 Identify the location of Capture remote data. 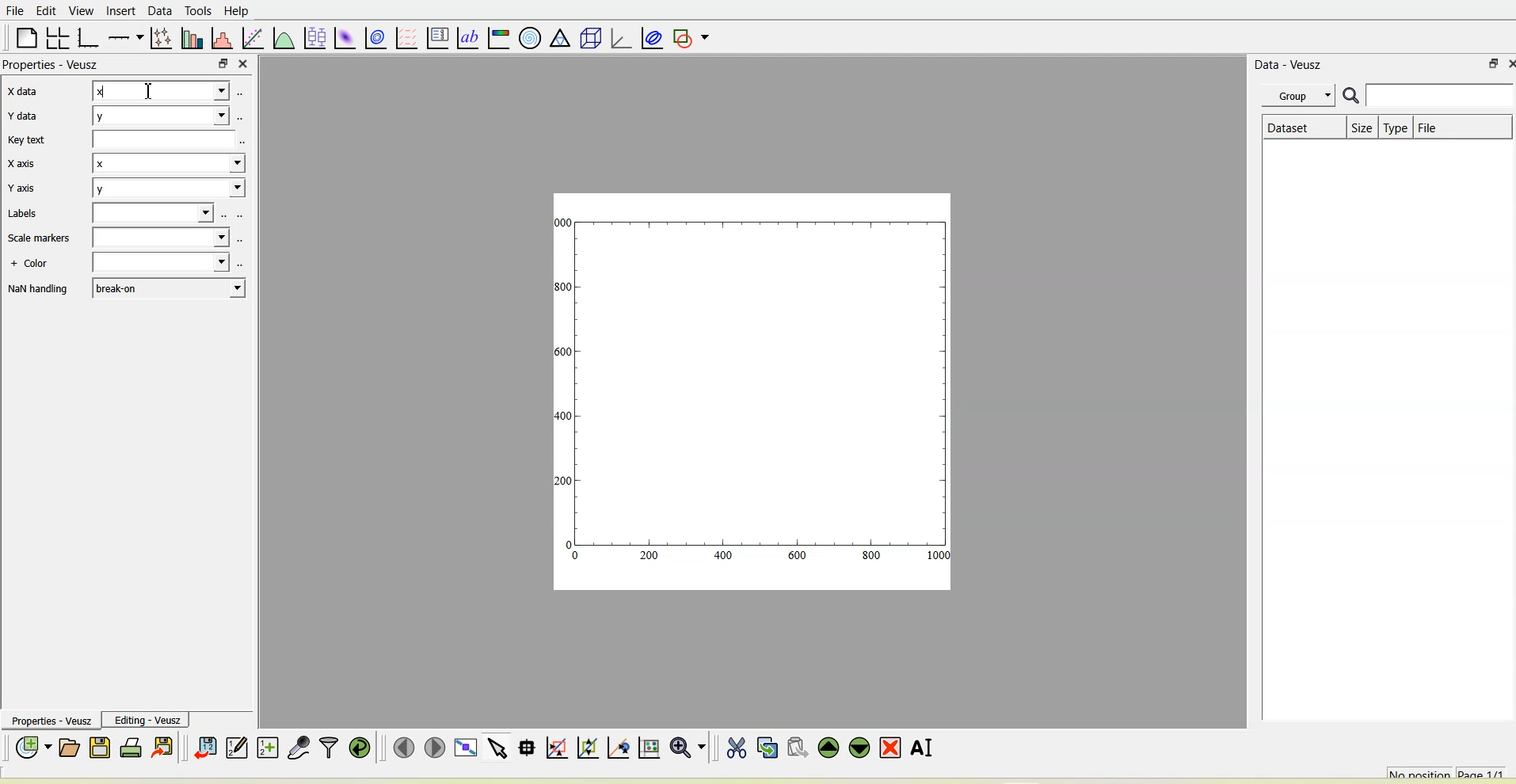
(299, 748).